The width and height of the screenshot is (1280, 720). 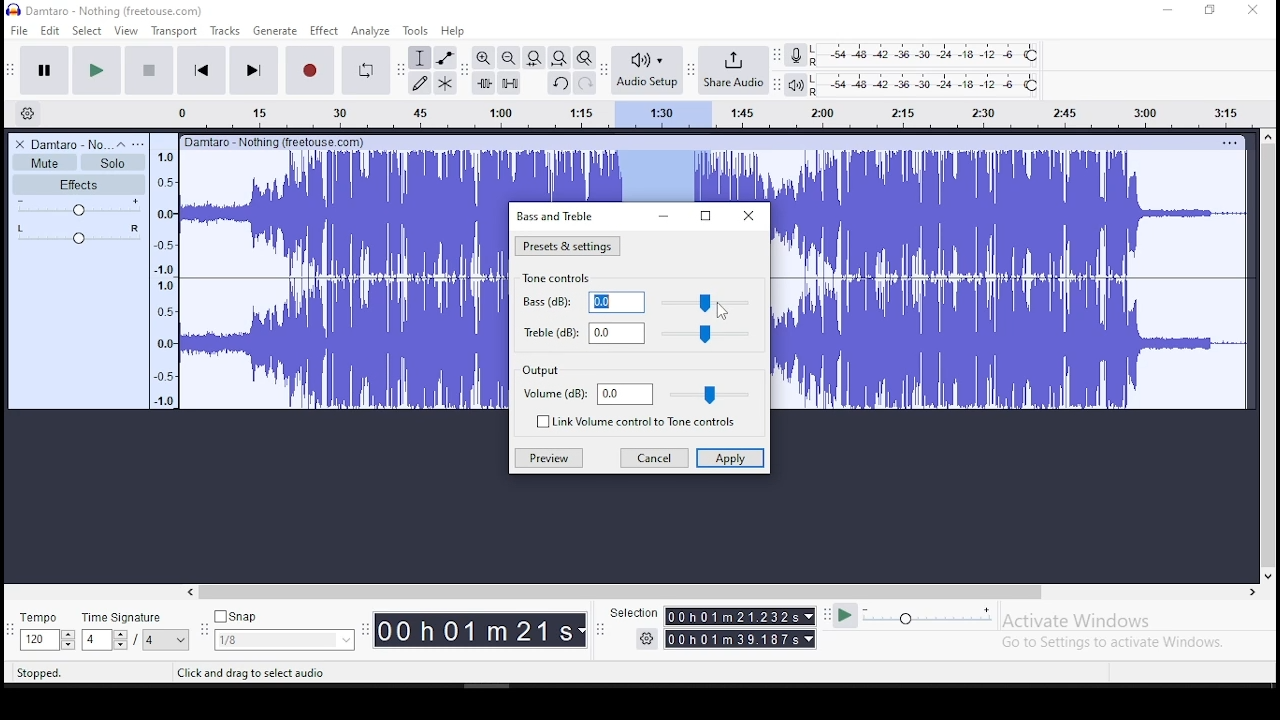 What do you see at coordinates (694, 111) in the screenshot?
I see `Audio bar` at bounding box center [694, 111].